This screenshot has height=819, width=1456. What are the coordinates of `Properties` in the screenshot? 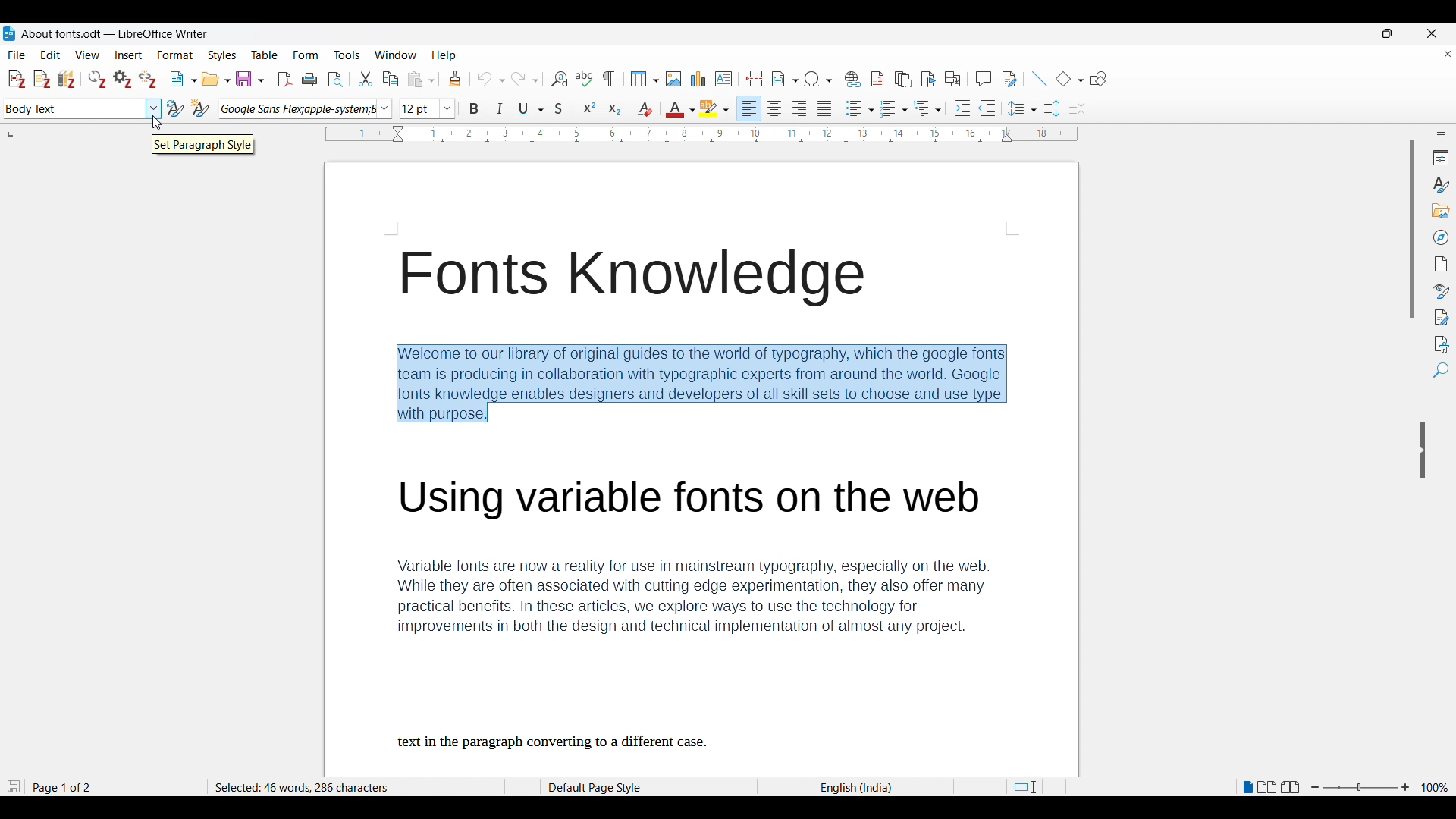 It's located at (1442, 158).